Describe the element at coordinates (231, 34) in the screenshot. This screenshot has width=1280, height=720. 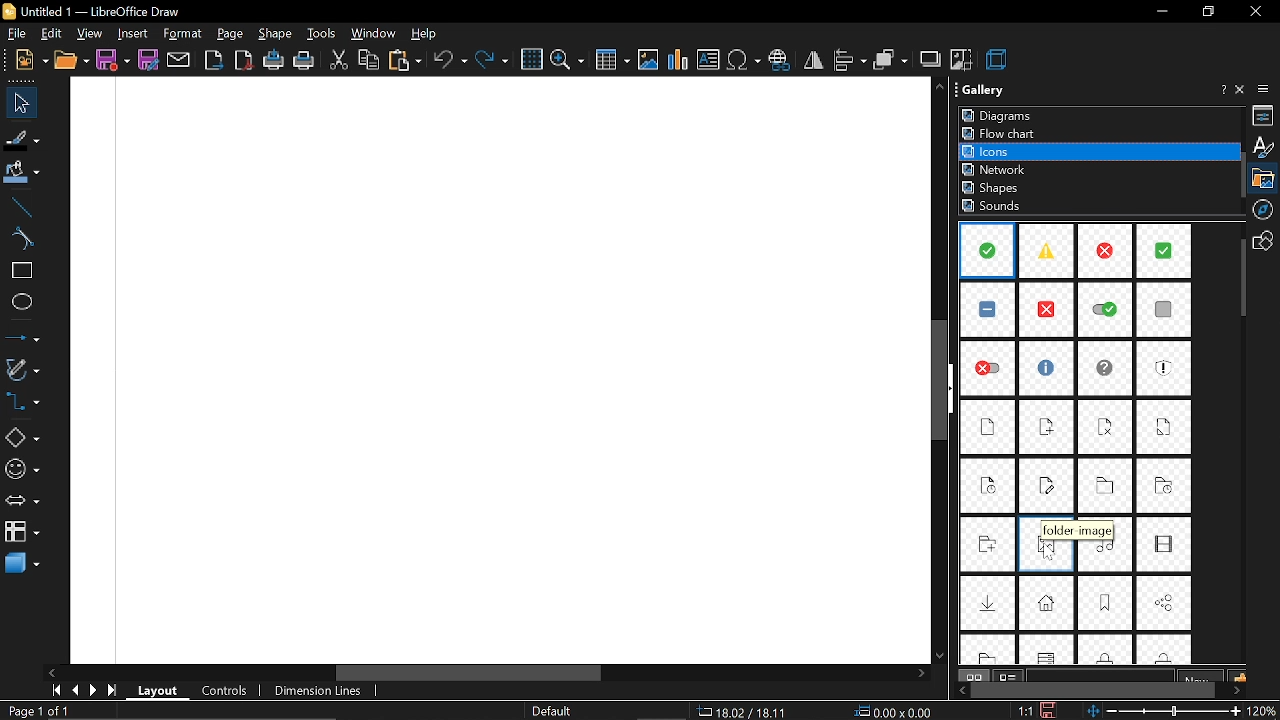
I see `page` at that location.